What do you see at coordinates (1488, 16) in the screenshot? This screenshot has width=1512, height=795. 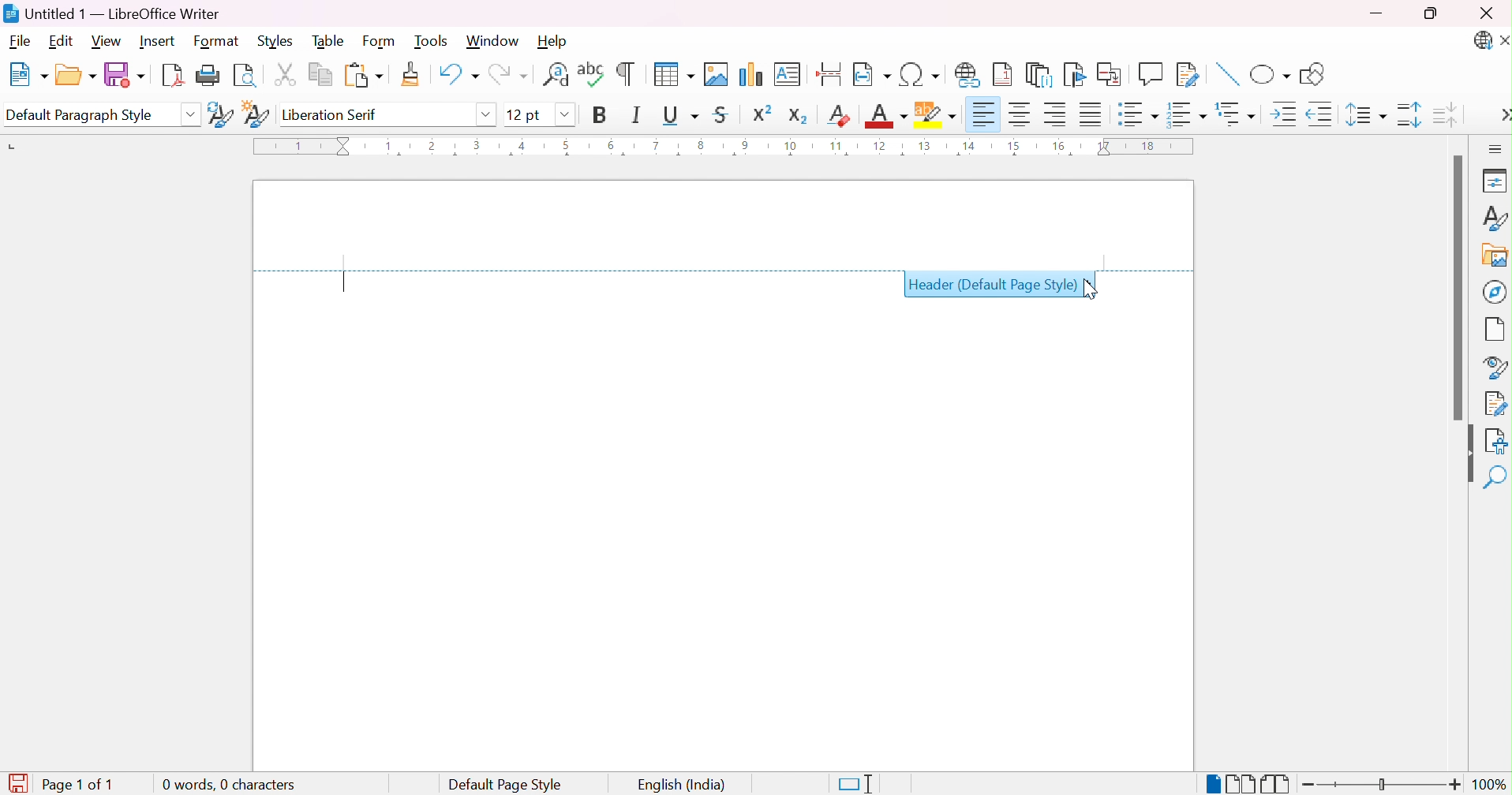 I see `Close` at bounding box center [1488, 16].